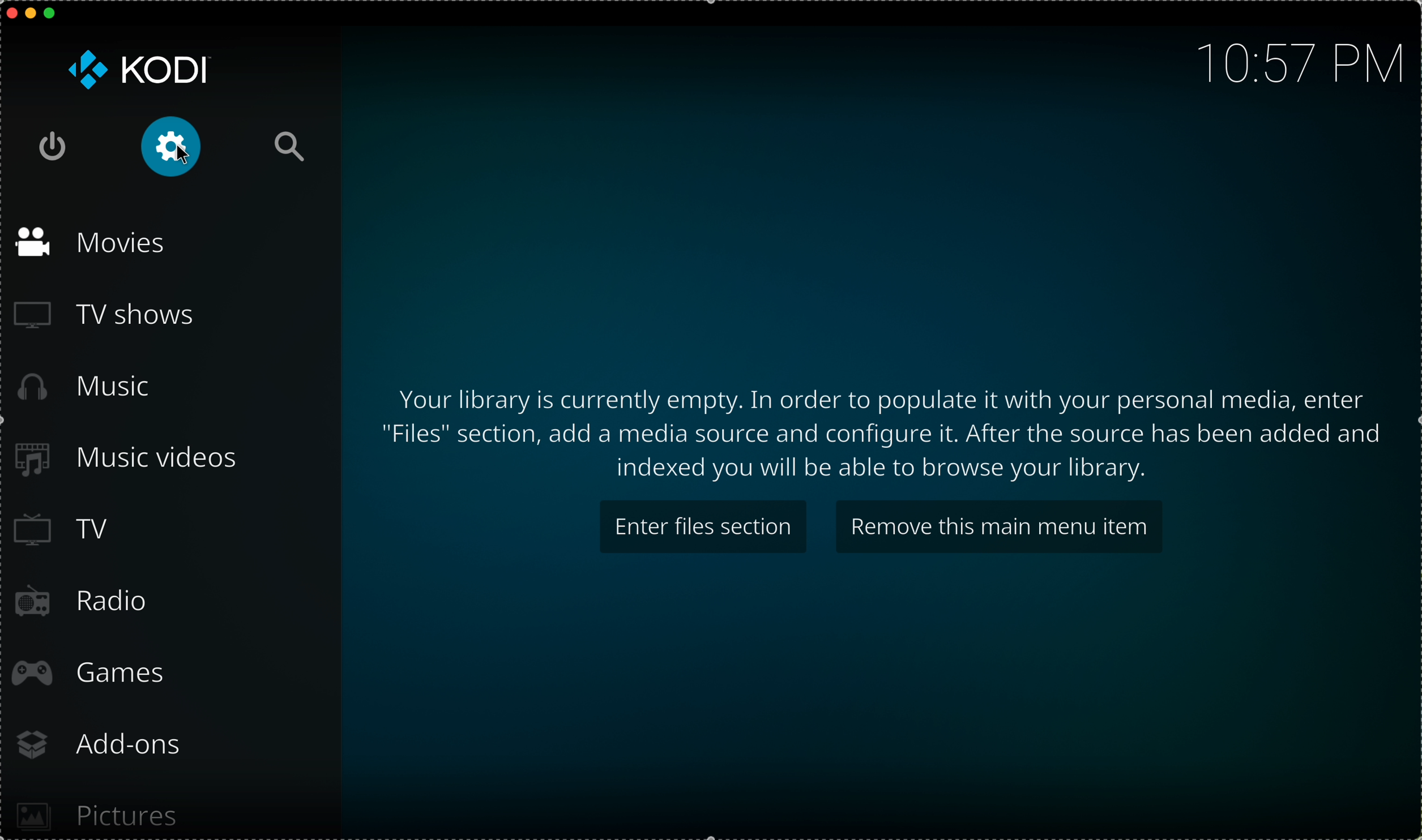 This screenshot has height=840, width=1422. Describe the element at coordinates (93, 244) in the screenshot. I see `movies` at that location.